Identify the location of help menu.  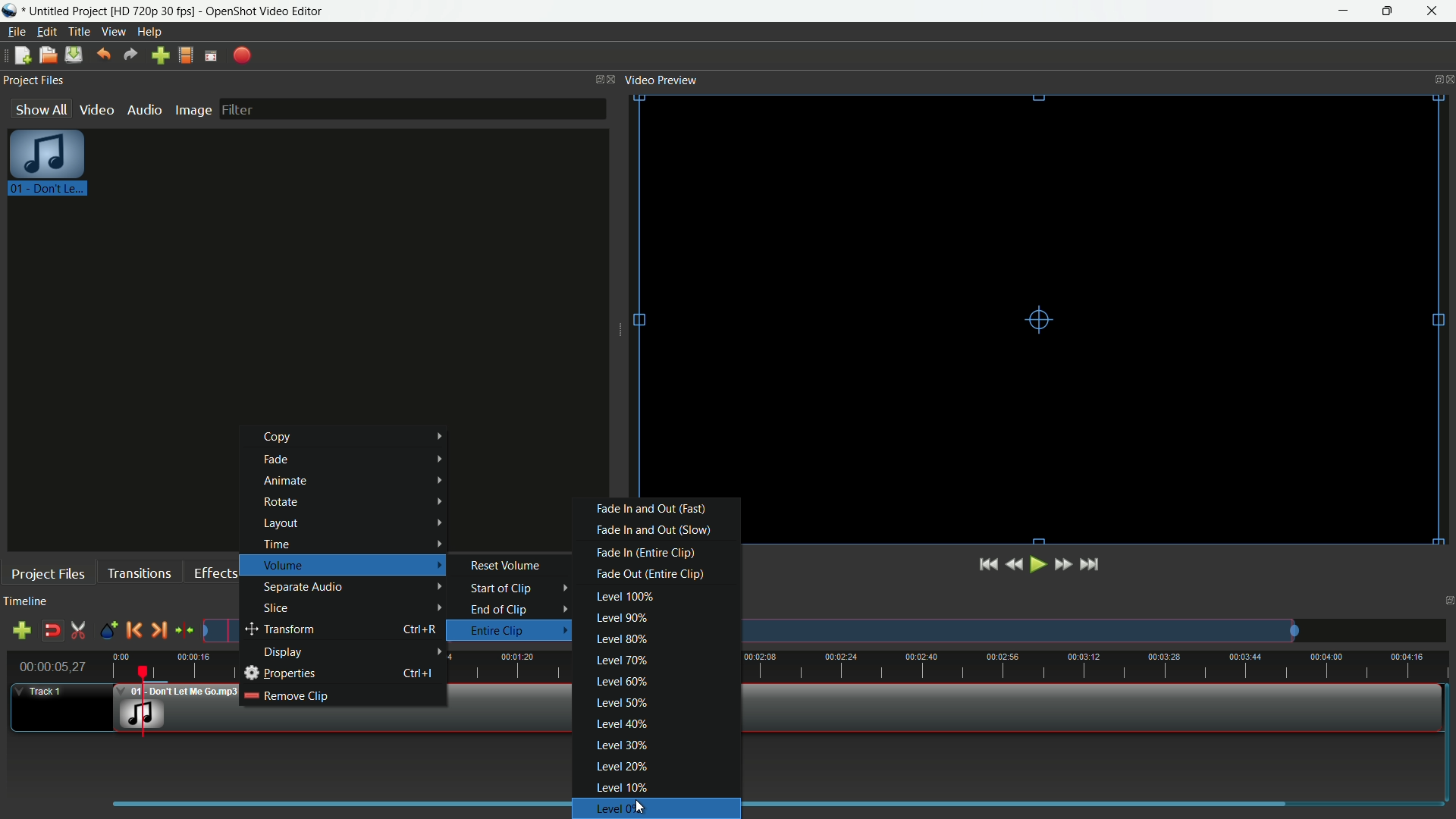
(149, 32).